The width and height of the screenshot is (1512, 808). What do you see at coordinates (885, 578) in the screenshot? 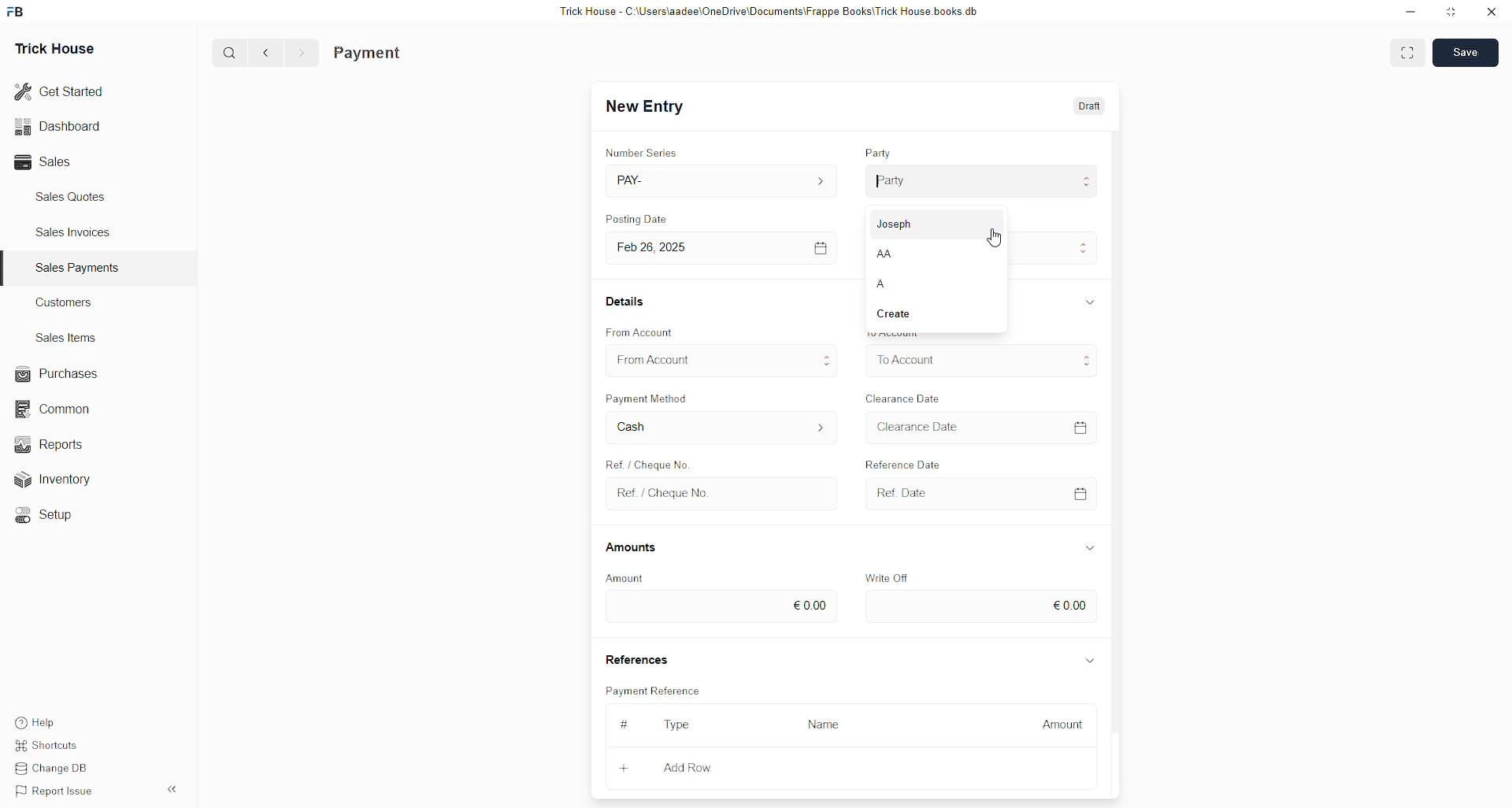
I see `Write Off` at bounding box center [885, 578].